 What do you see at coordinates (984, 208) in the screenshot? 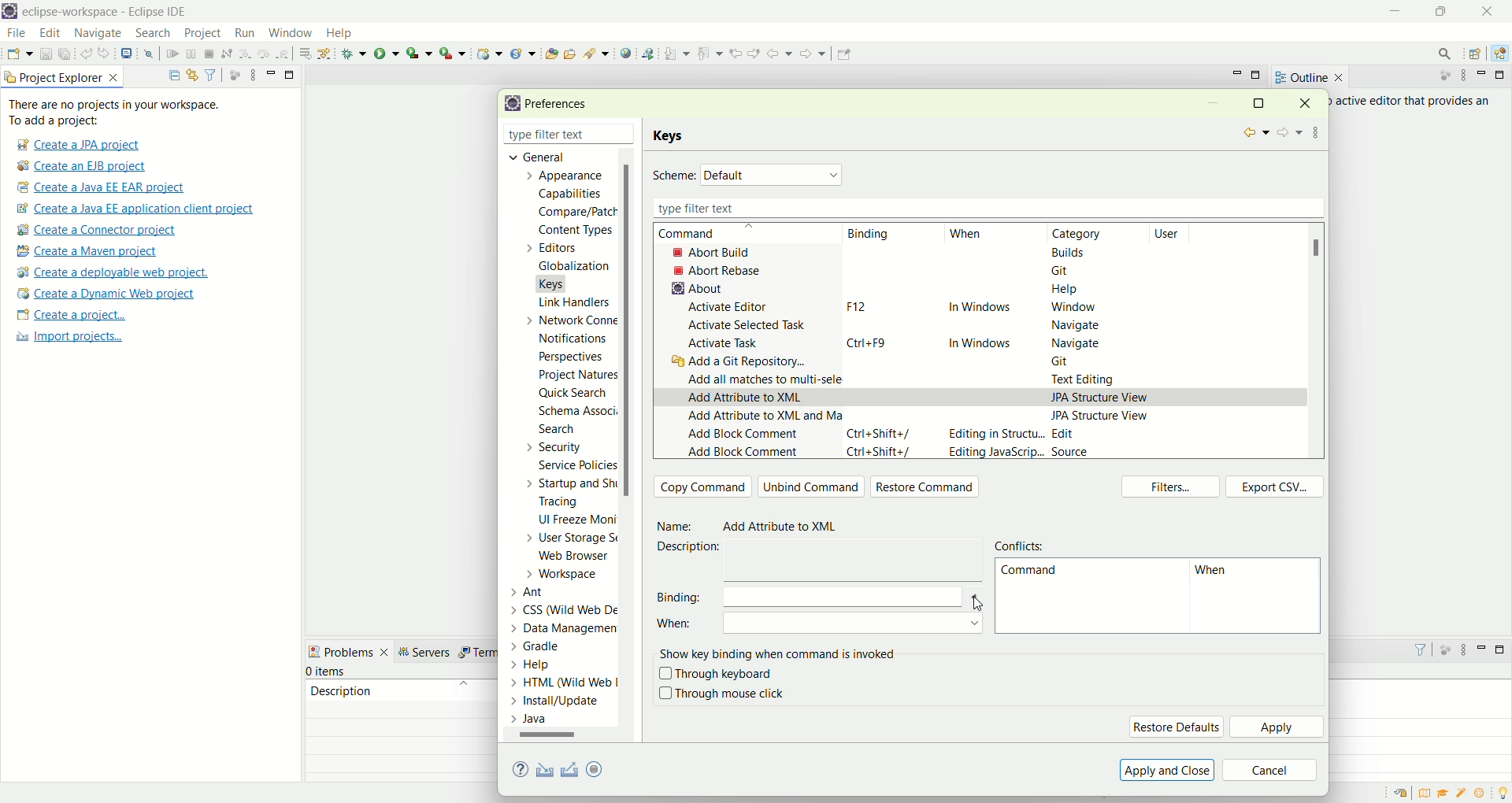
I see `type filter text` at bounding box center [984, 208].